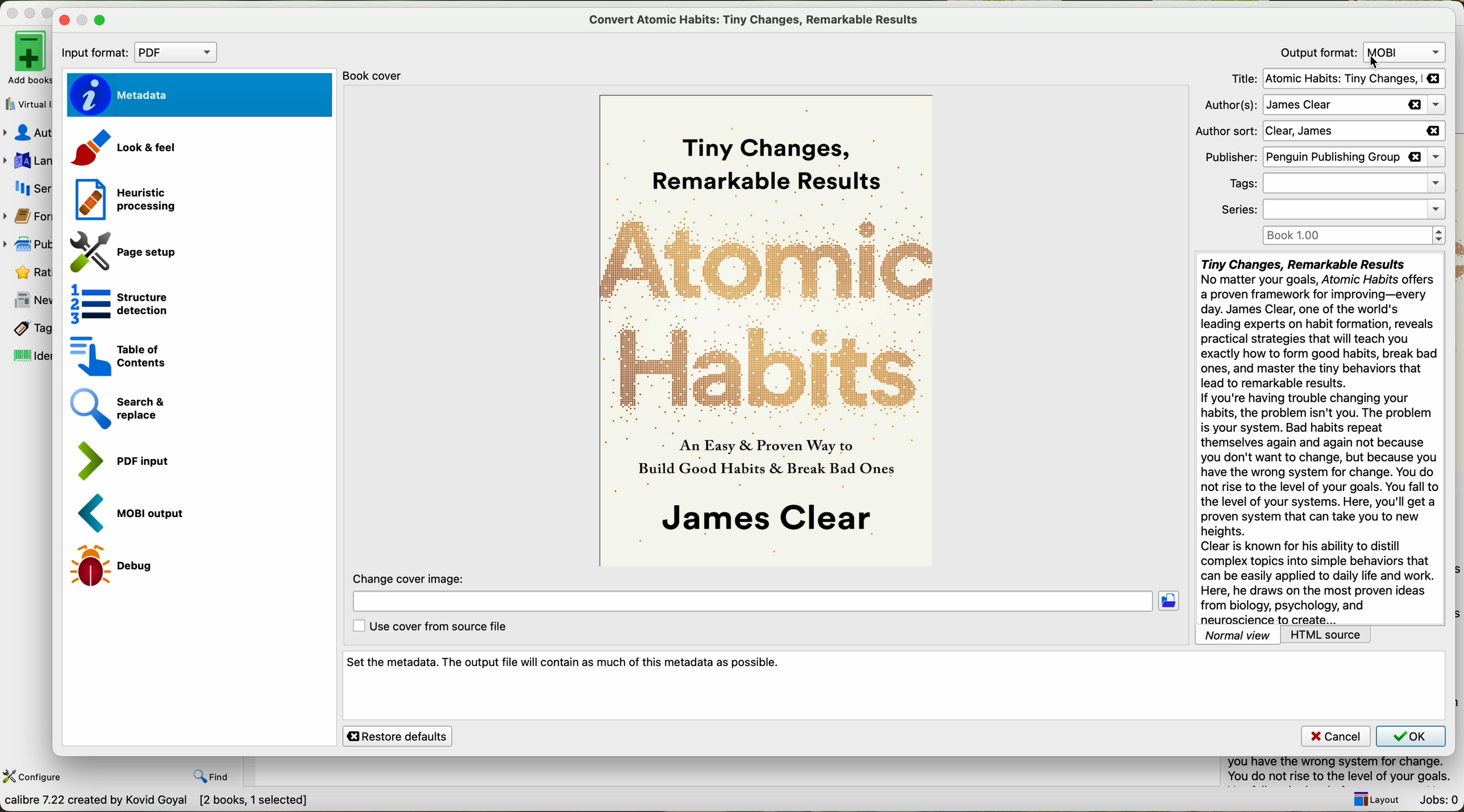 The height and width of the screenshot is (812, 1464). What do you see at coordinates (10, 11) in the screenshot?
I see `close program` at bounding box center [10, 11].